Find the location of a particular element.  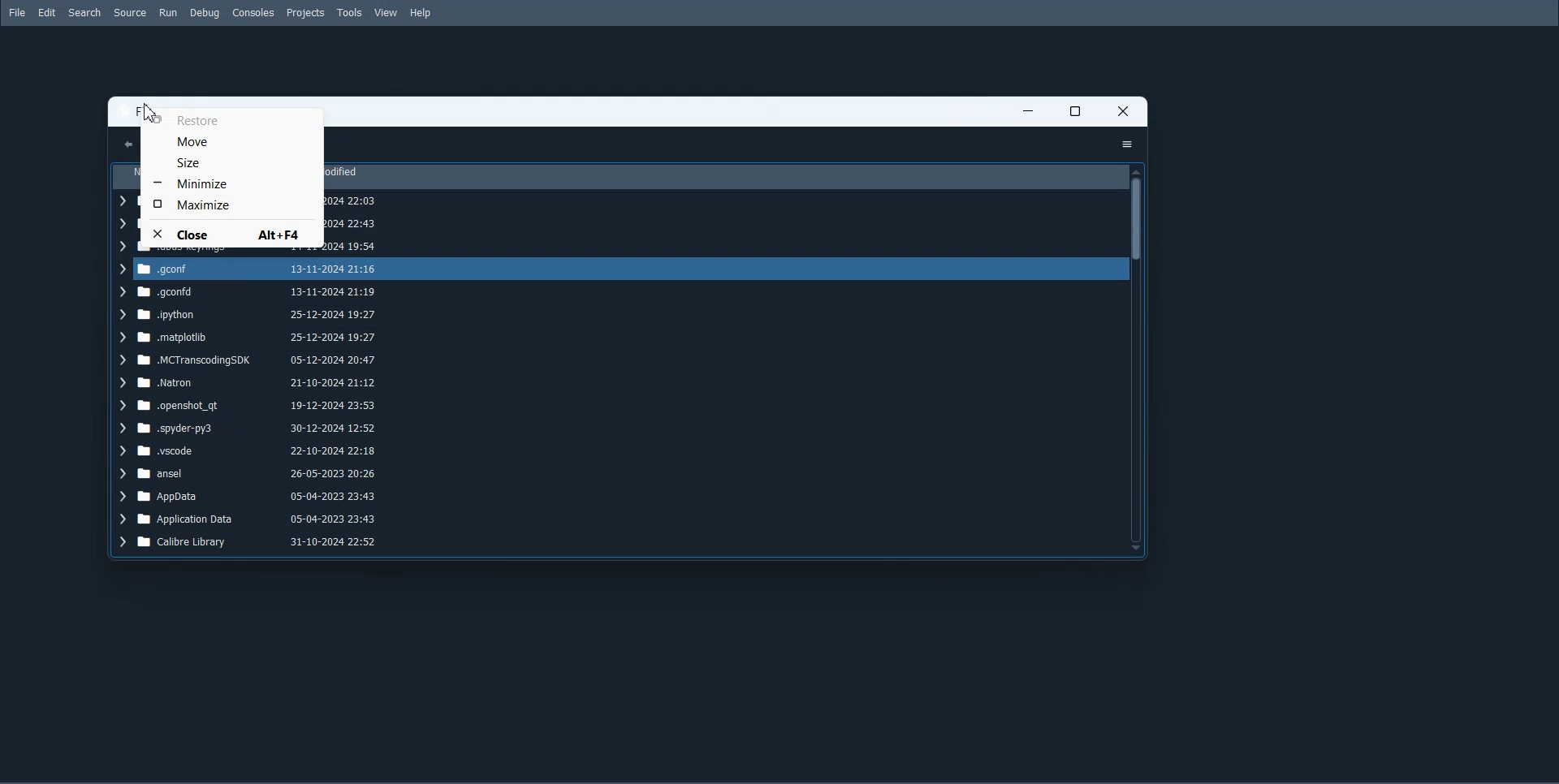

.vscode 22-10-2024 22:18 is located at coordinates (249, 452).